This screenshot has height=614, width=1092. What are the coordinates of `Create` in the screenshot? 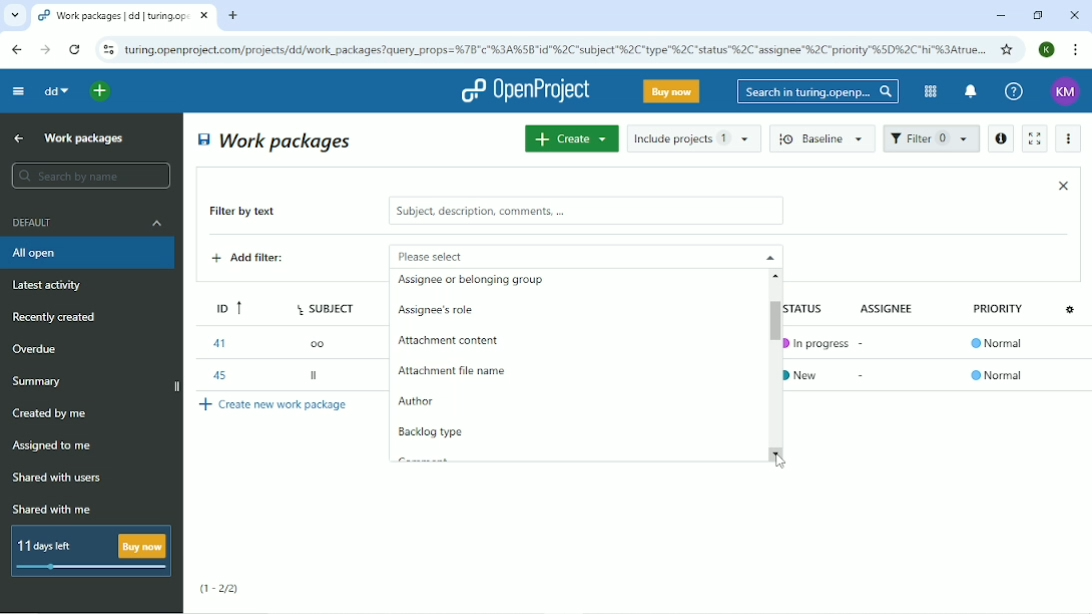 It's located at (571, 138).